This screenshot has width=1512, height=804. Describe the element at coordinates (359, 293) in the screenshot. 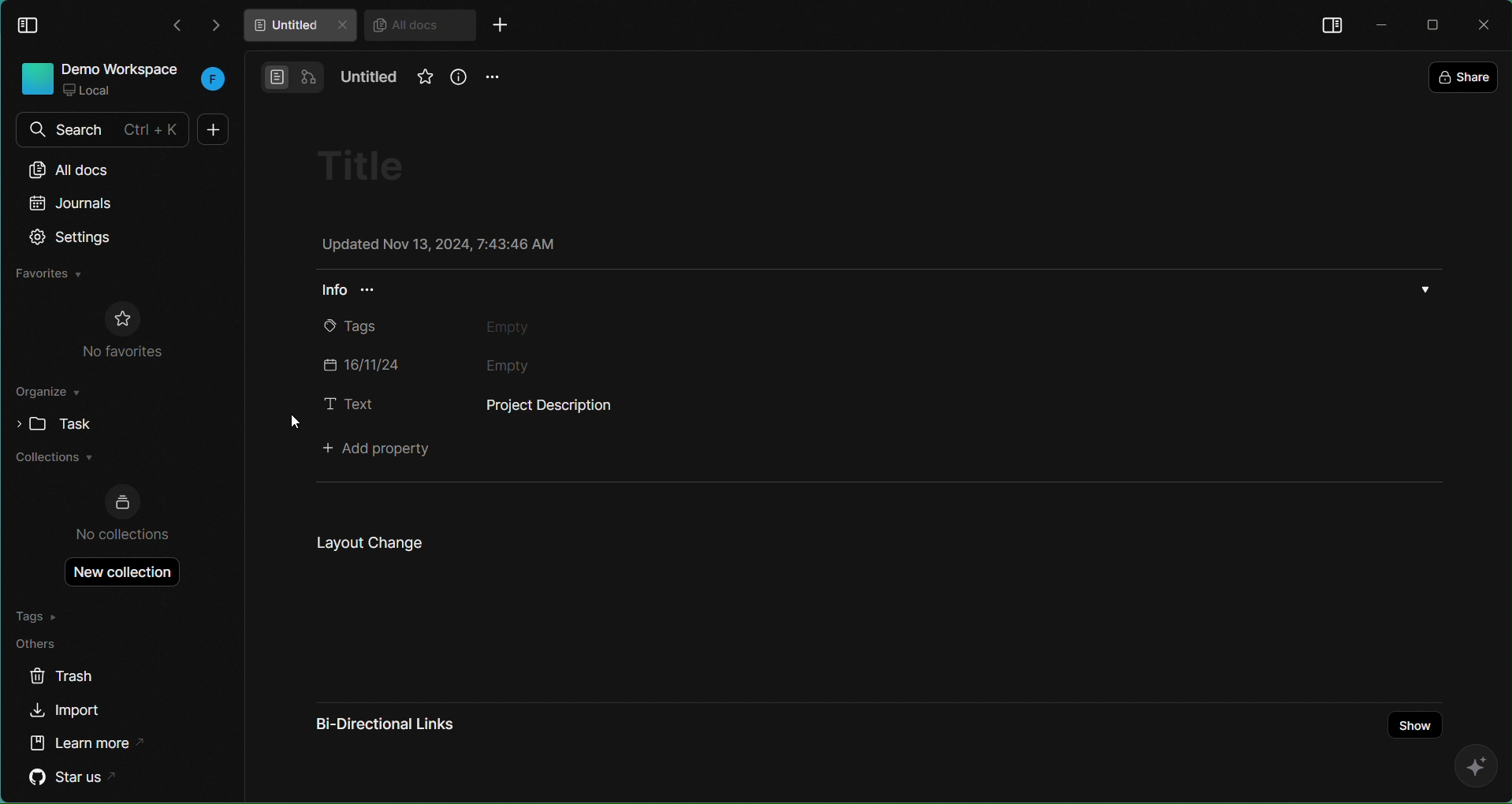

I see `Info` at that location.